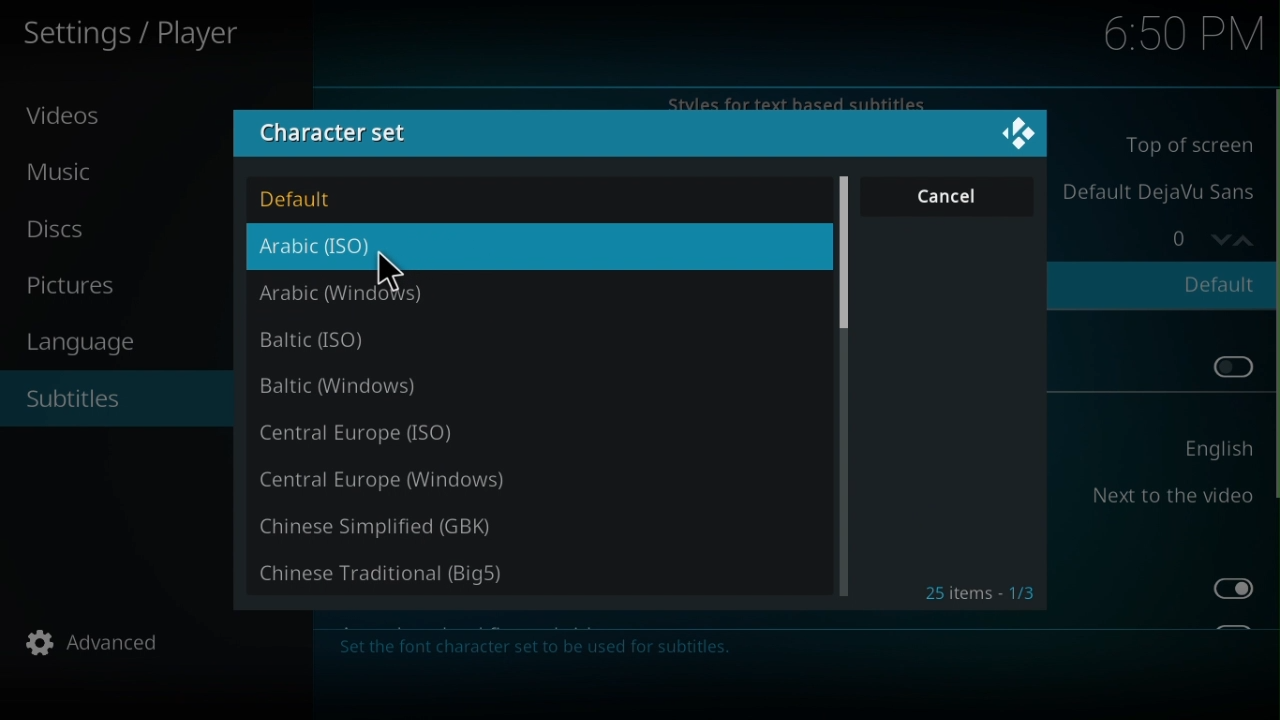  Describe the element at coordinates (983, 595) in the screenshot. I see `Items` at that location.